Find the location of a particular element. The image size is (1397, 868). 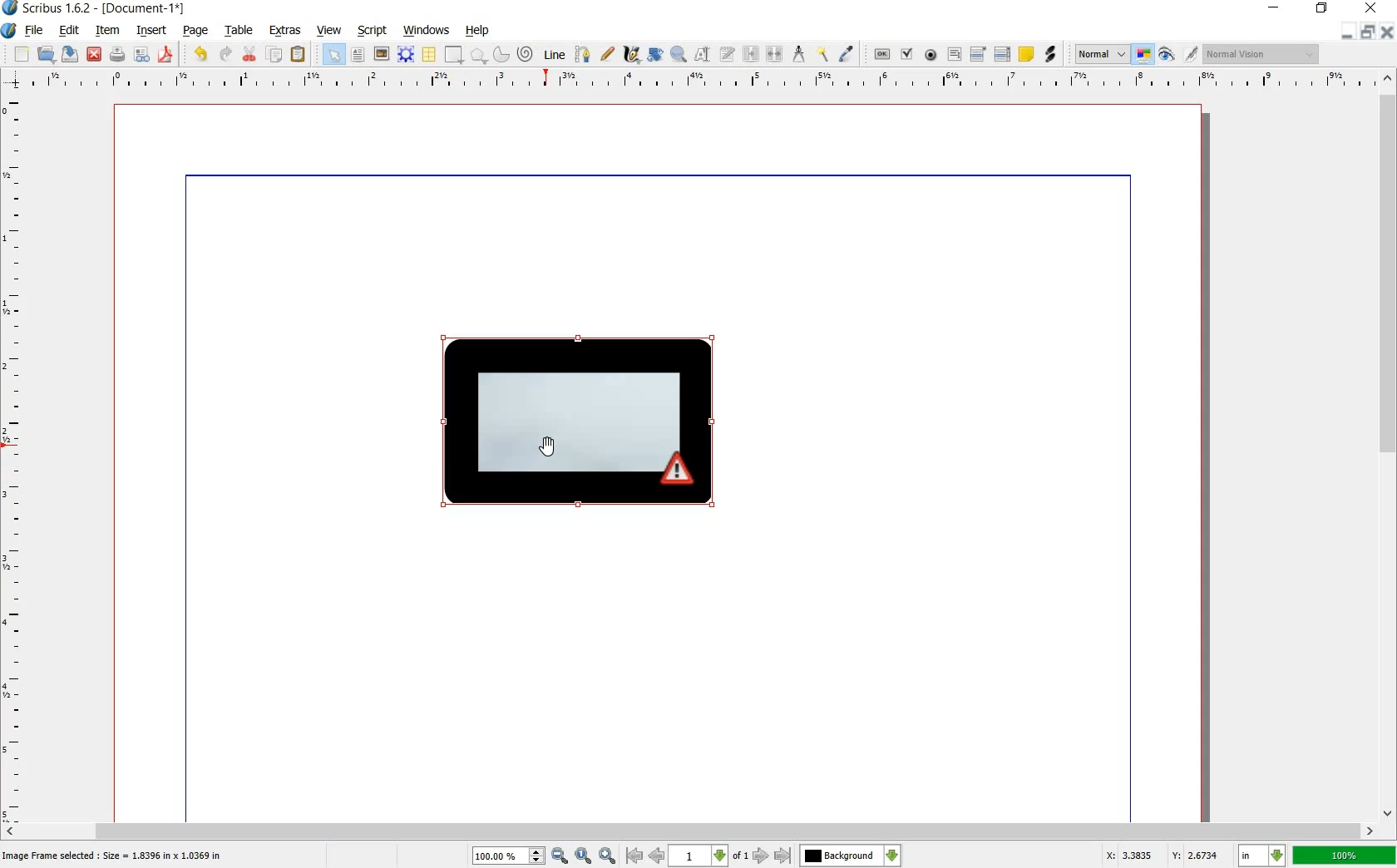

redo is located at coordinates (225, 55).